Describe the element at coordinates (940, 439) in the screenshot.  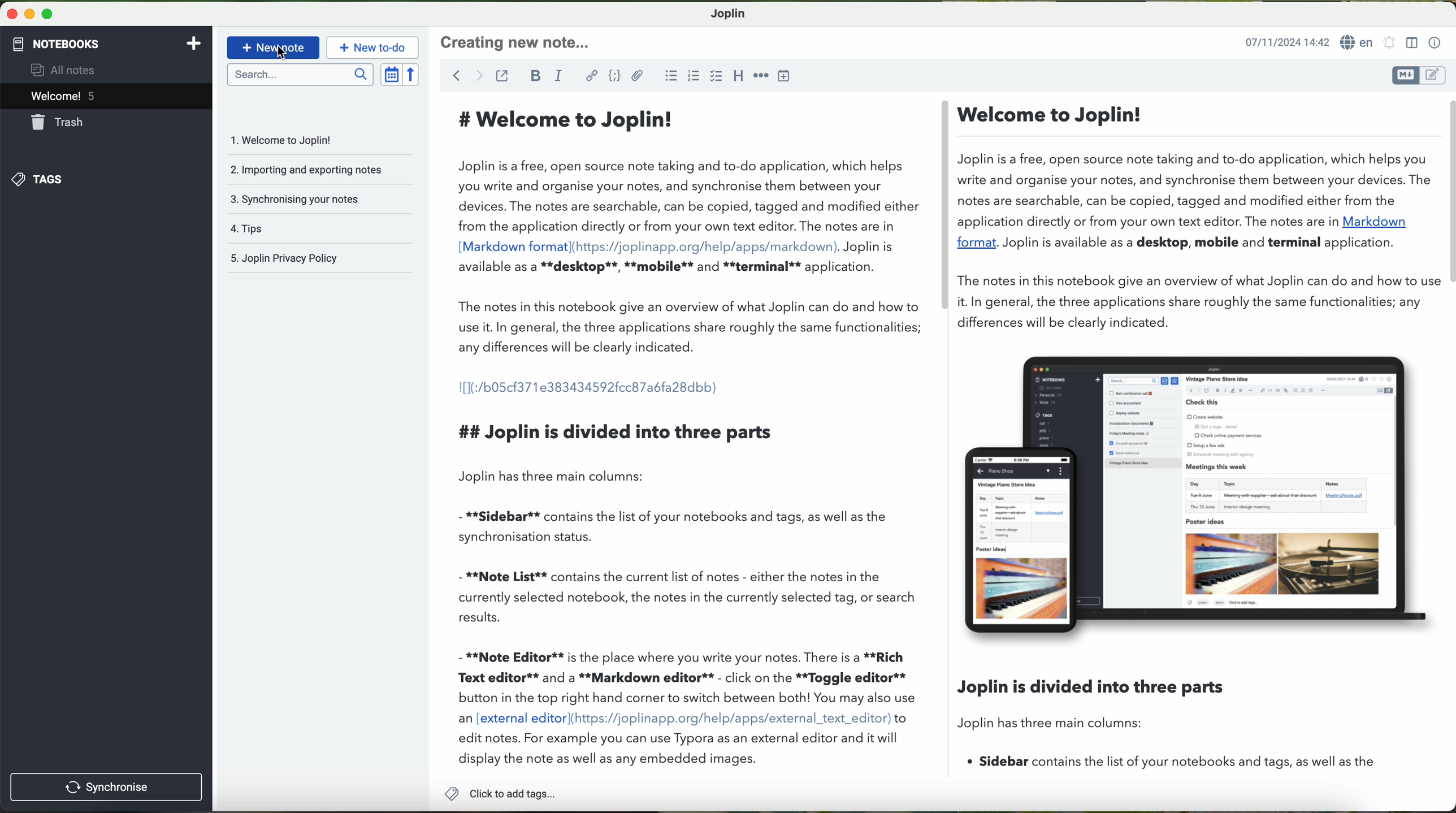
I see `workspace` at that location.